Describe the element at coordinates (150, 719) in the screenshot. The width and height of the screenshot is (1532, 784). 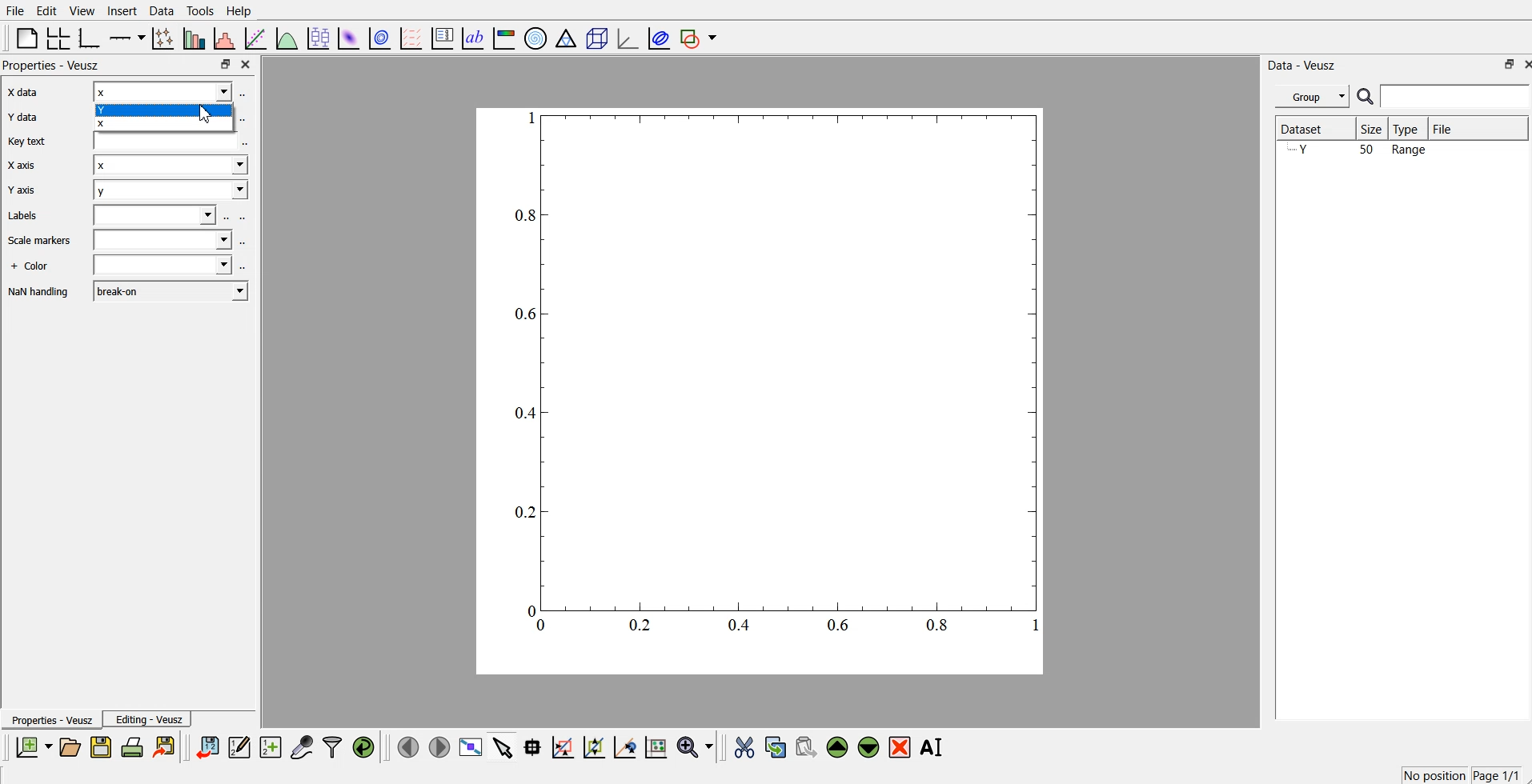
I see `Editing - Veusz` at that location.